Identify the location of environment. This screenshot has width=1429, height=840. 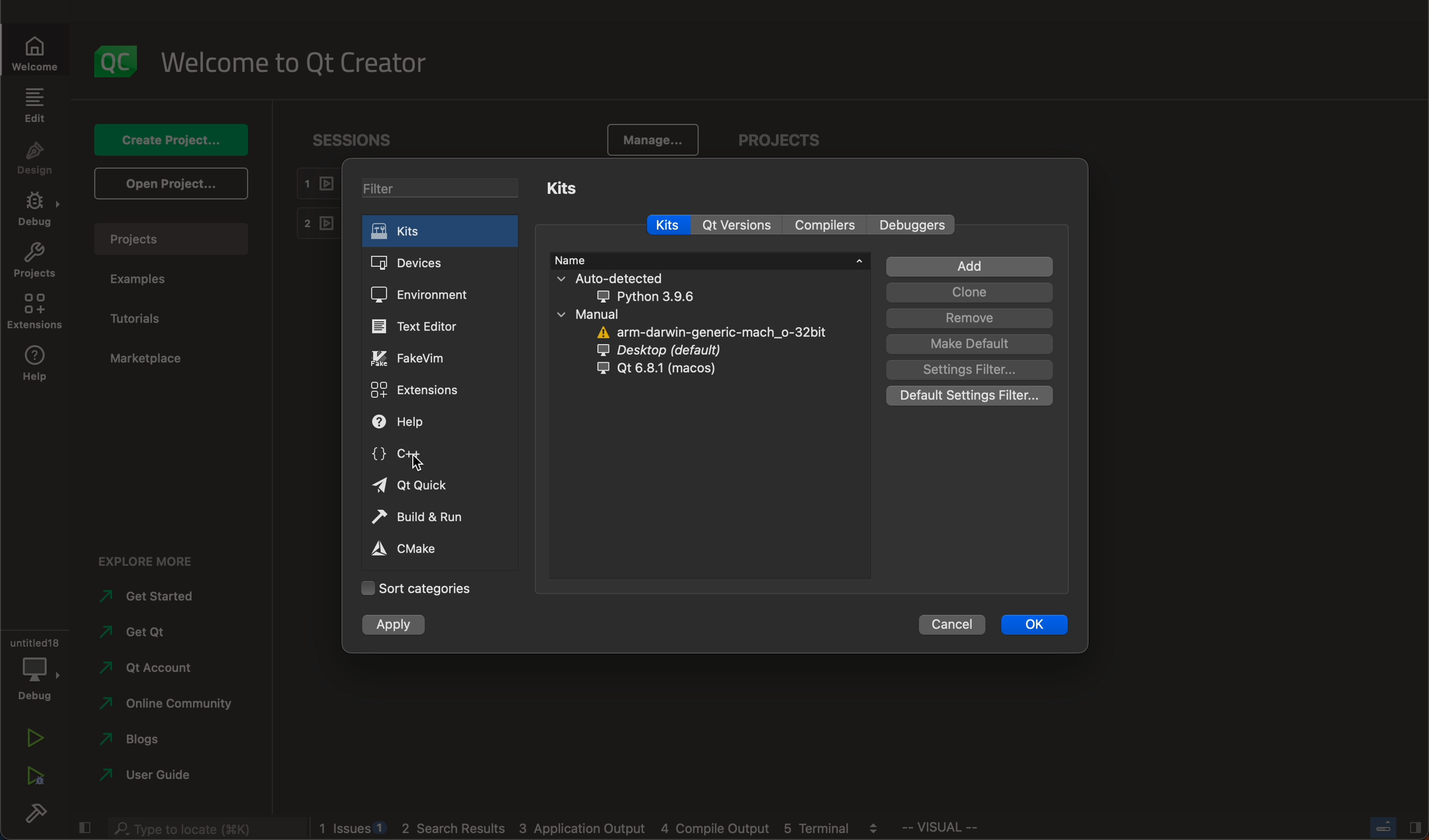
(419, 295).